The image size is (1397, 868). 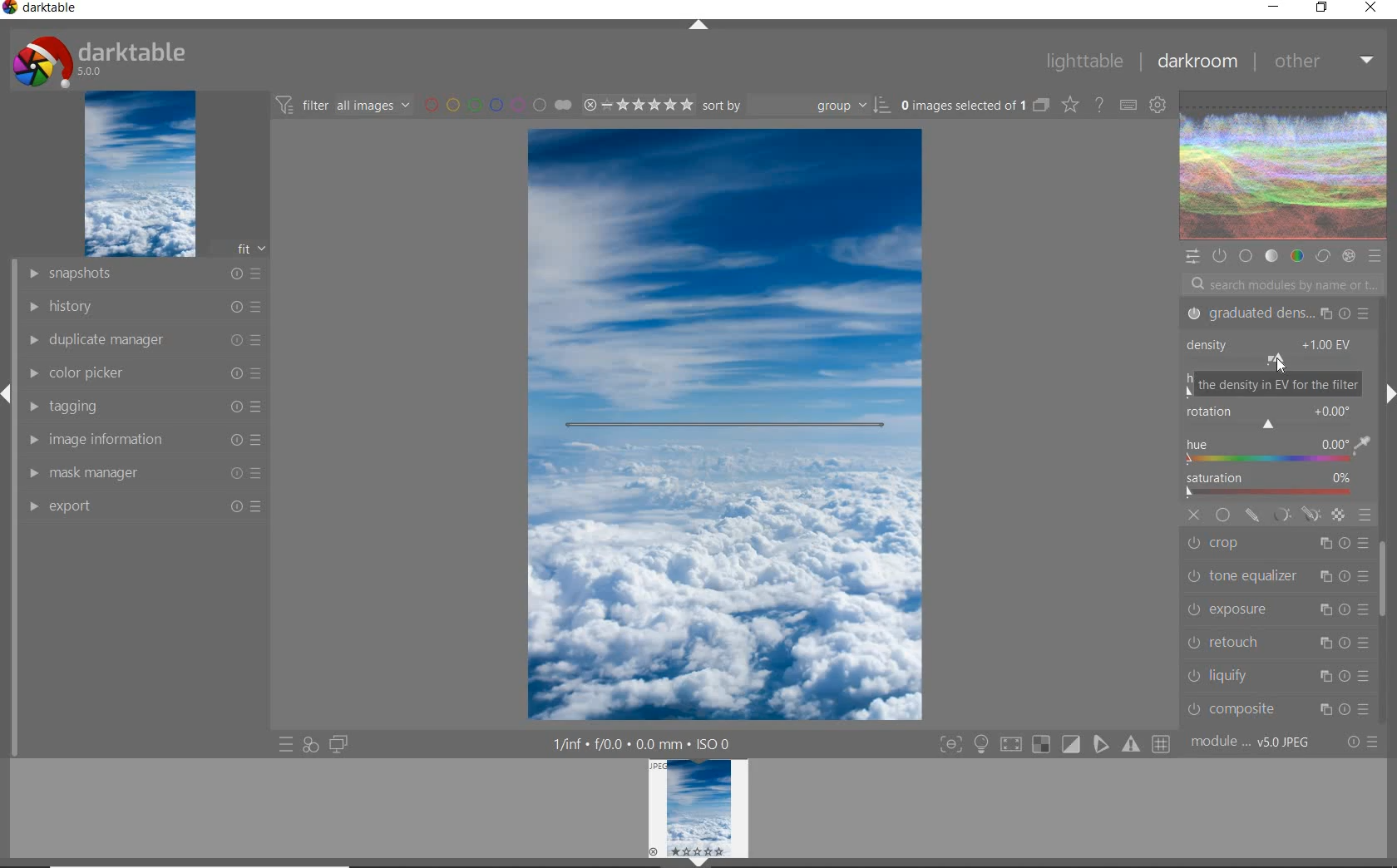 What do you see at coordinates (1247, 256) in the screenshot?
I see `BASE` at bounding box center [1247, 256].